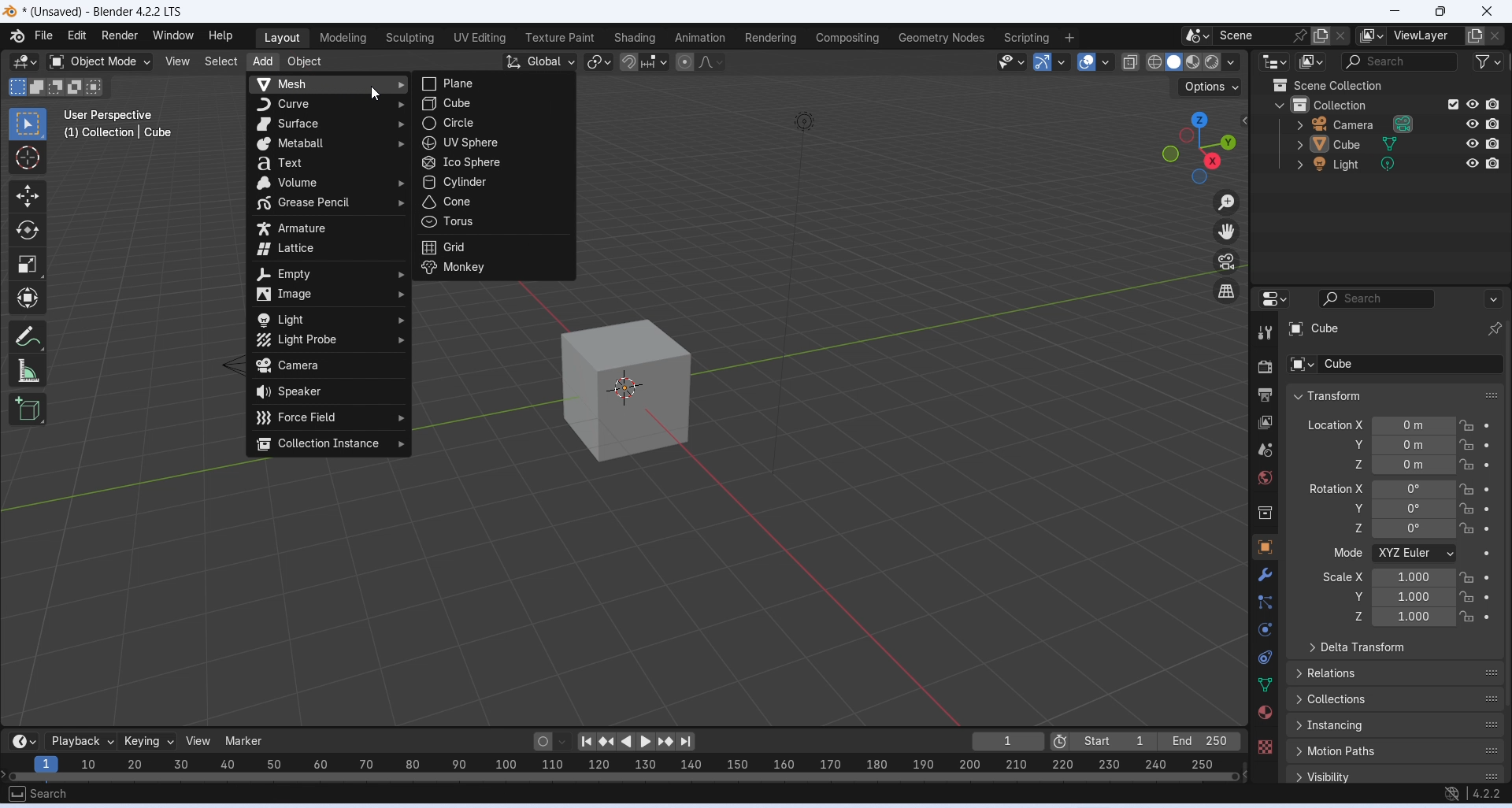 This screenshot has width=1512, height=808. I want to click on cube, so click(626, 391).